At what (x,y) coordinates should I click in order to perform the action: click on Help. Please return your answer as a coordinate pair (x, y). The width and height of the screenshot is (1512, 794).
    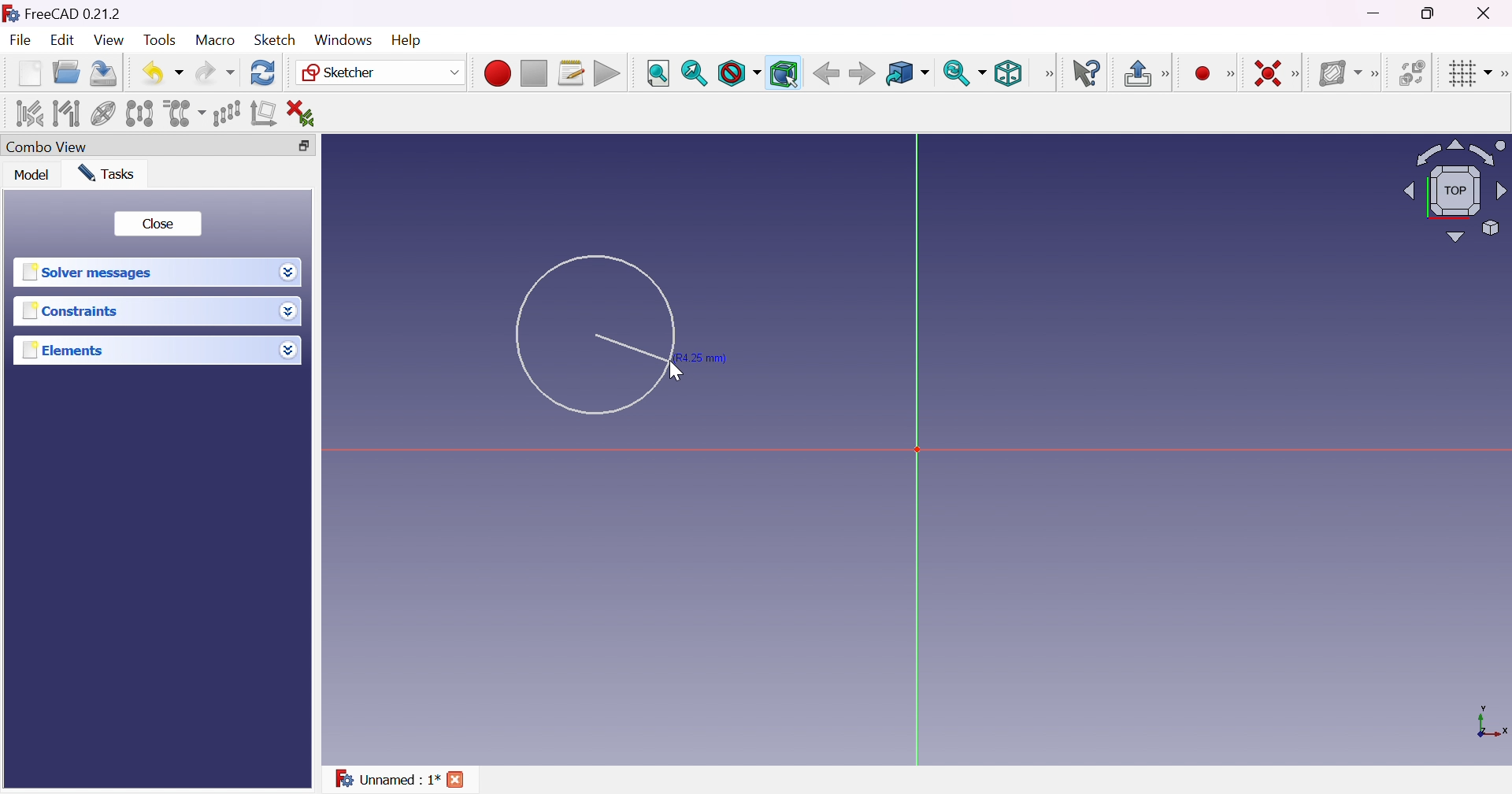
    Looking at the image, I should click on (404, 40).